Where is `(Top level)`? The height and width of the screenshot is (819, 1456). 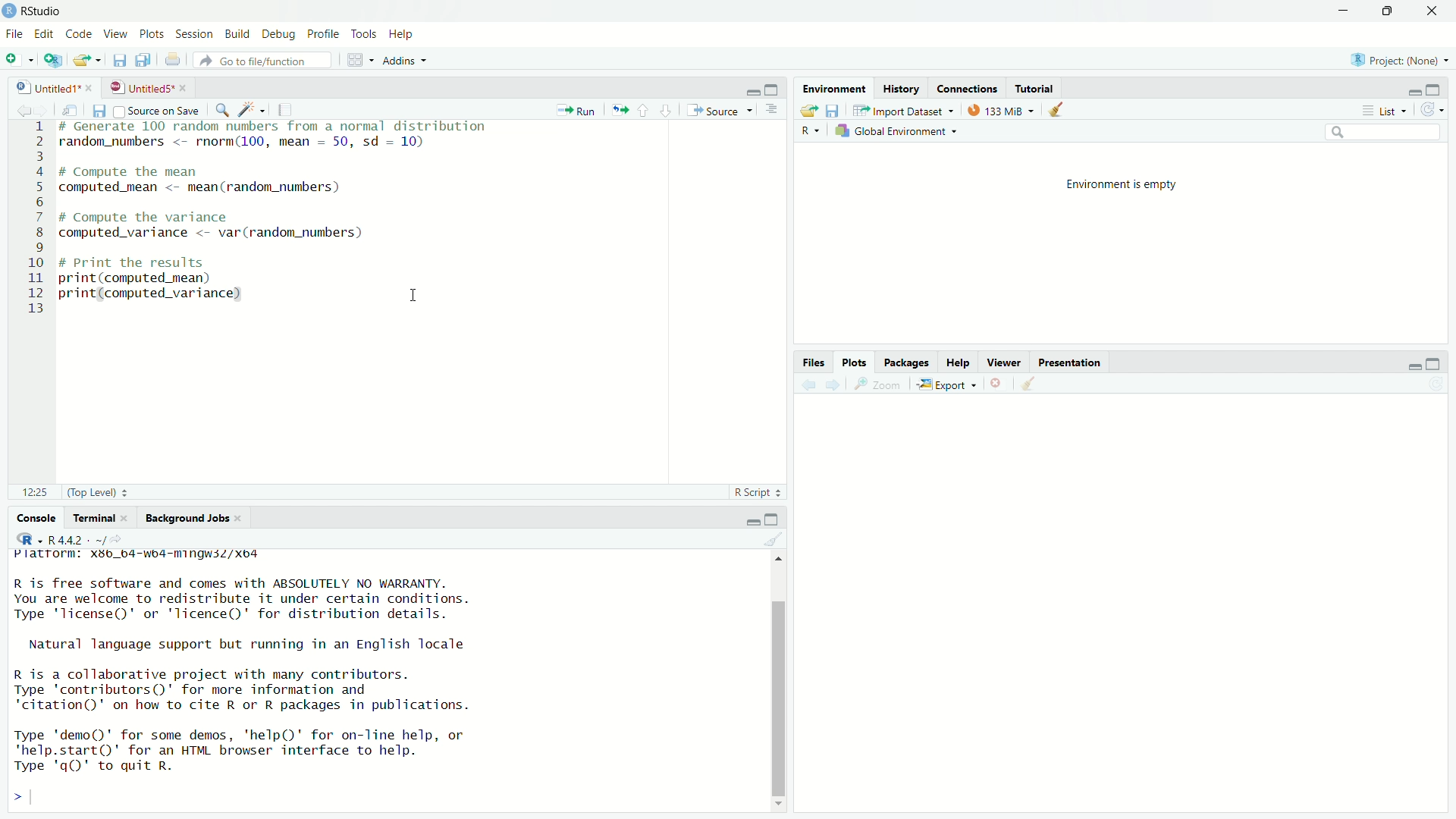 (Top level) is located at coordinates (102, 493).